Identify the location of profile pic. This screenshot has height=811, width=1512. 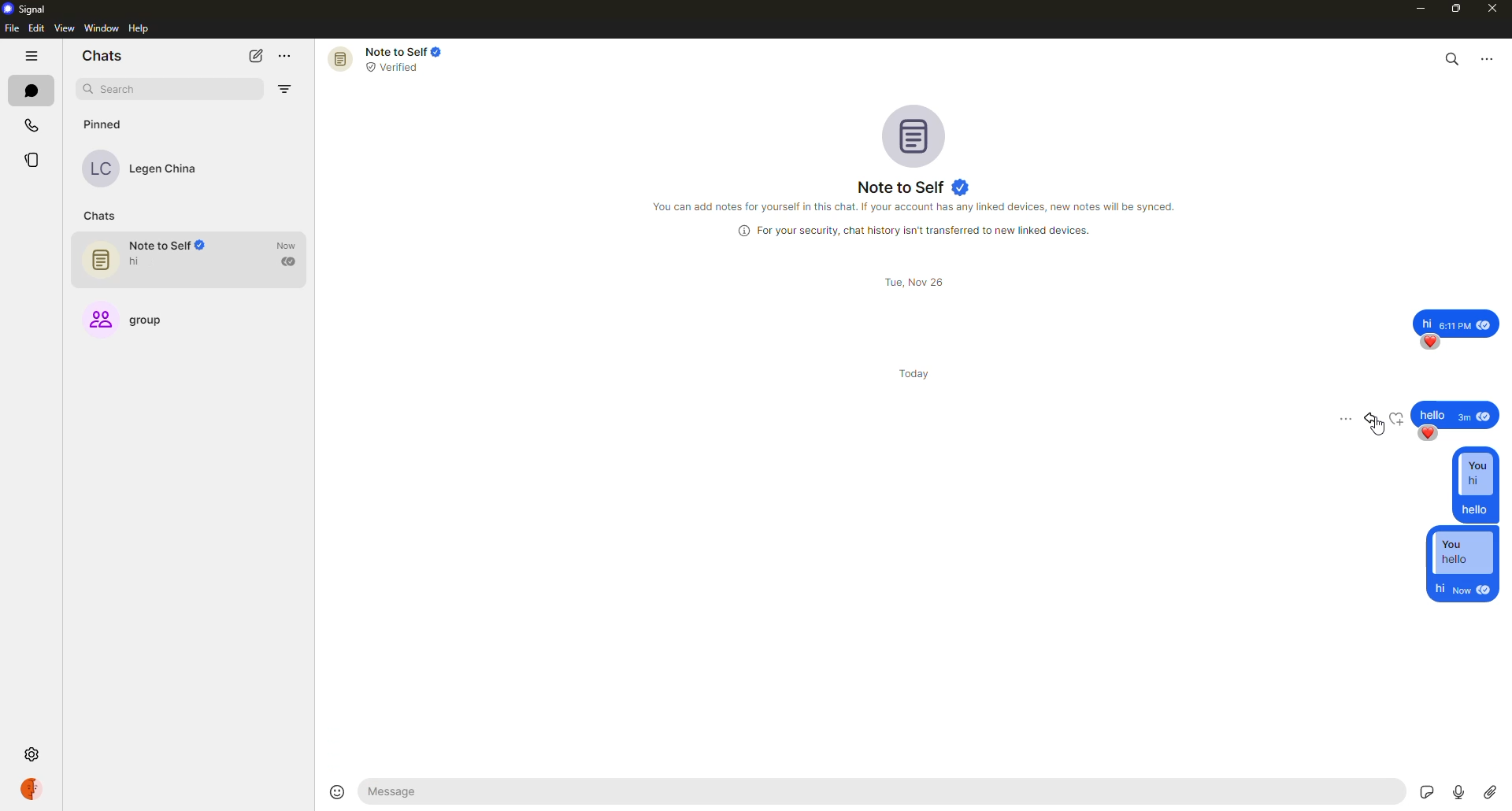
(912, 131).